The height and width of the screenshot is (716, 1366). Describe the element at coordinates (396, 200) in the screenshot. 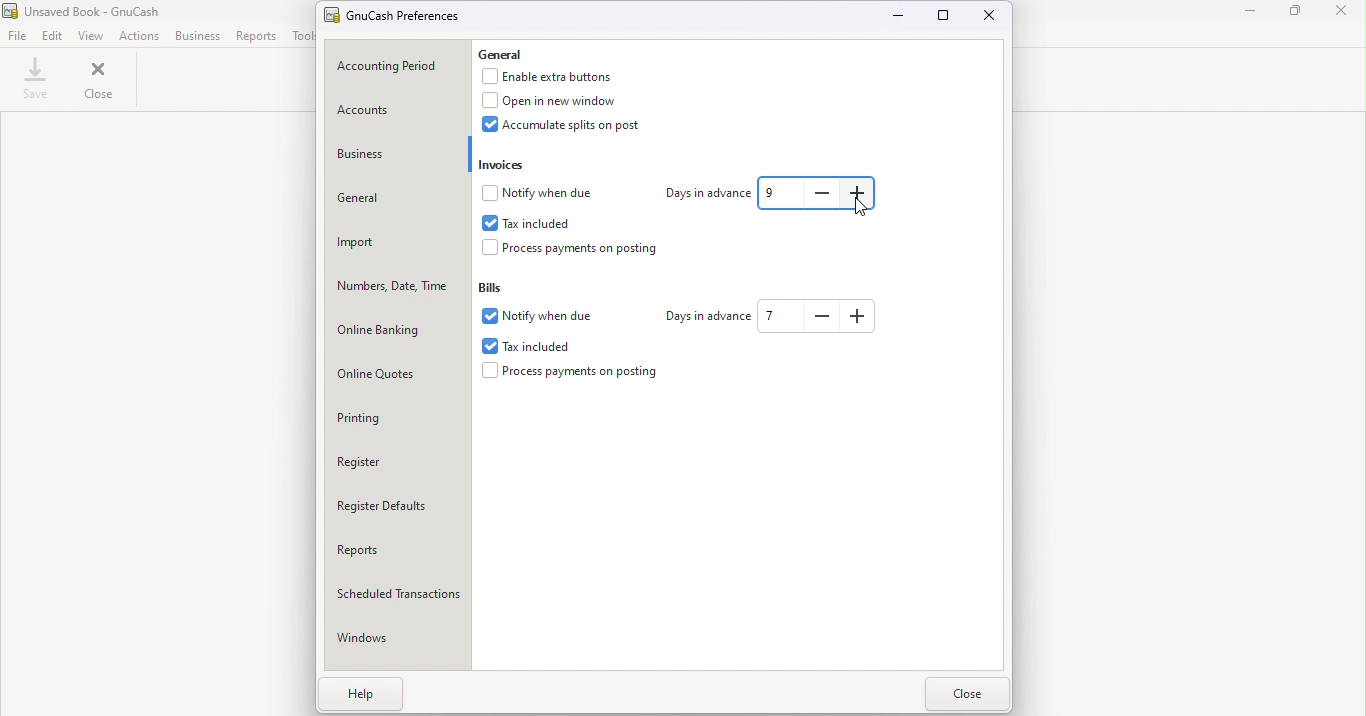

I see `General` at that location.